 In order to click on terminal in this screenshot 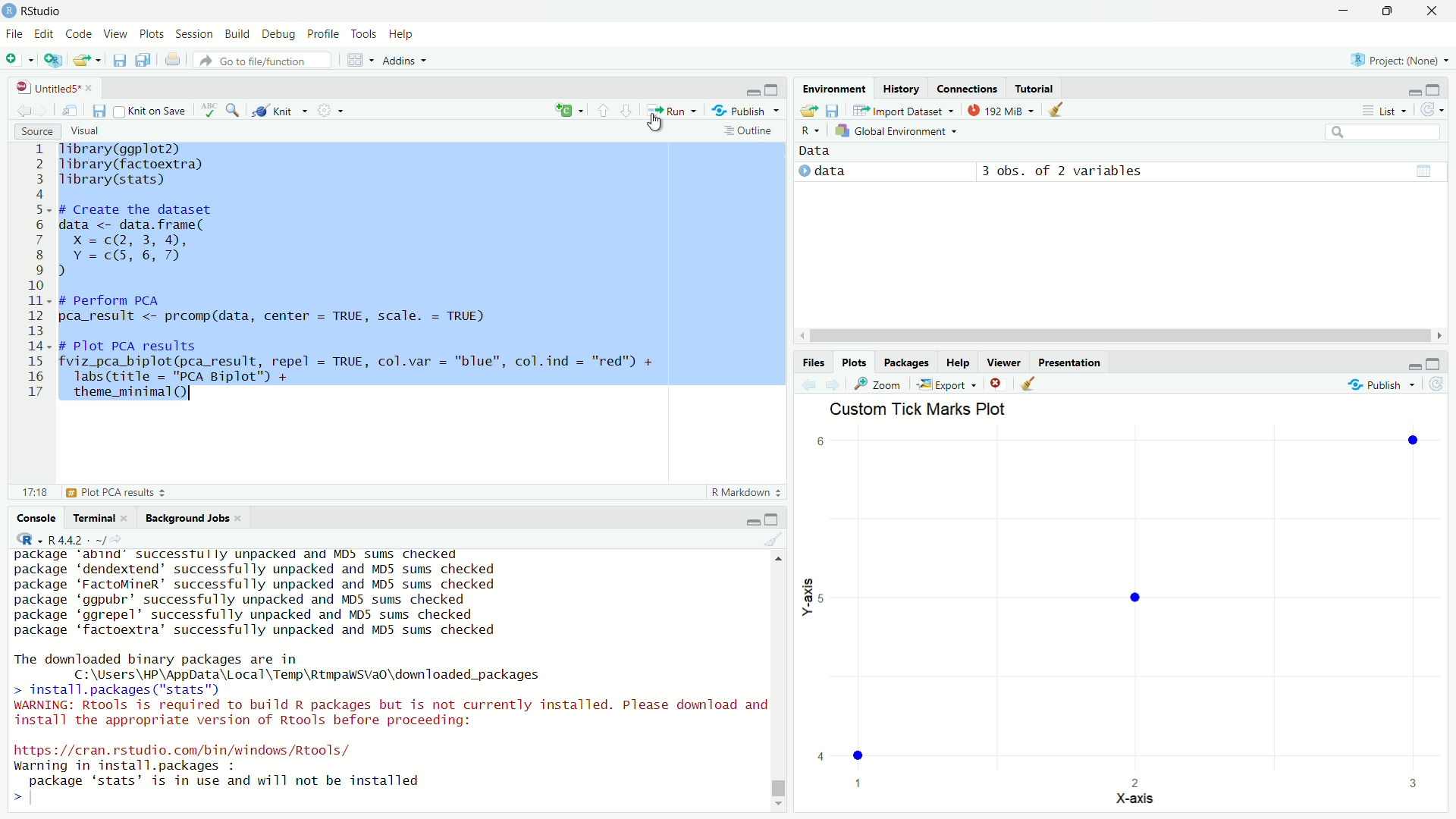, I will do `click(100, 518)`.